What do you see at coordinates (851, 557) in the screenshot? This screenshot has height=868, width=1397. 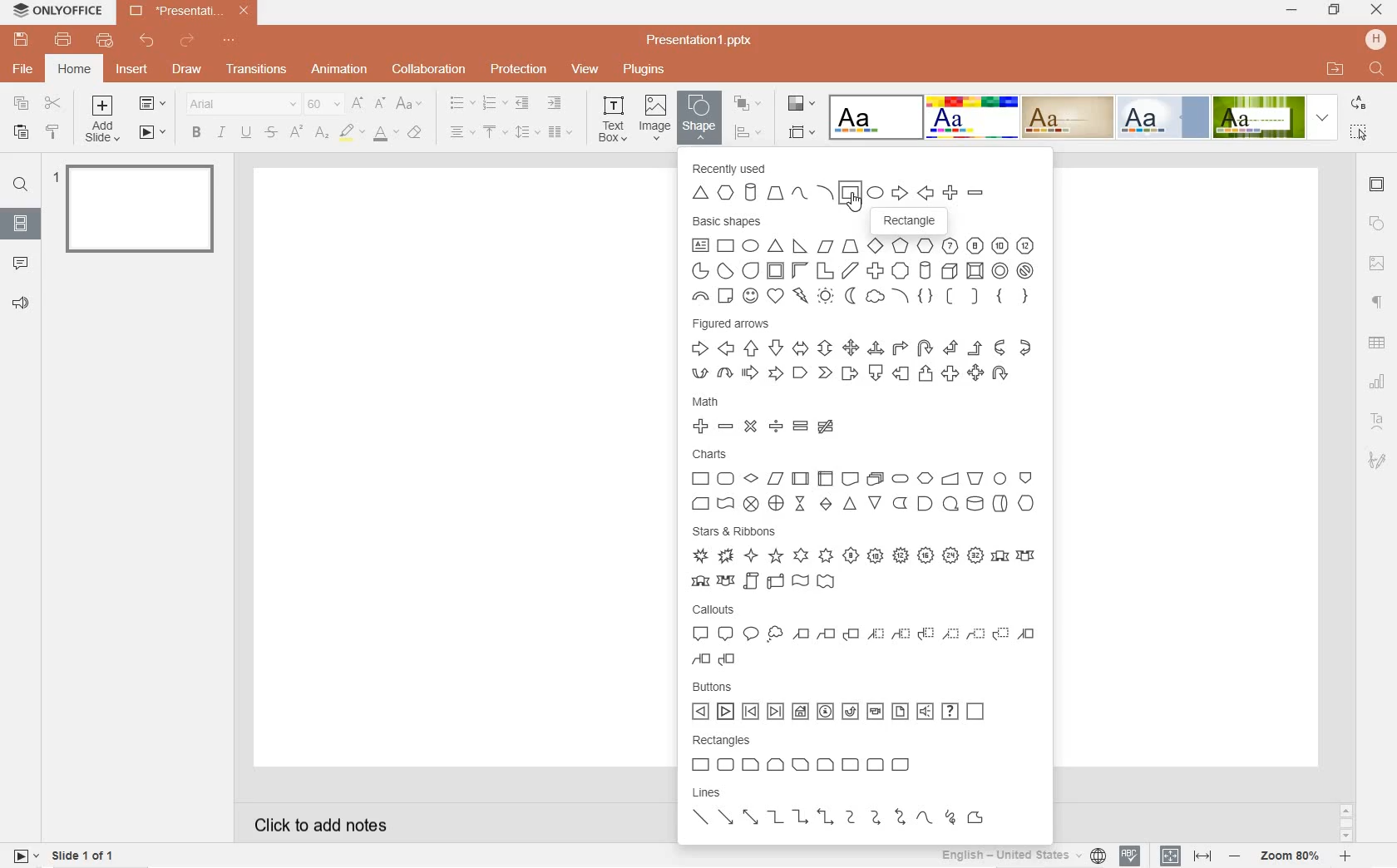 I see `8-point star` at bounding box center [851, 557].